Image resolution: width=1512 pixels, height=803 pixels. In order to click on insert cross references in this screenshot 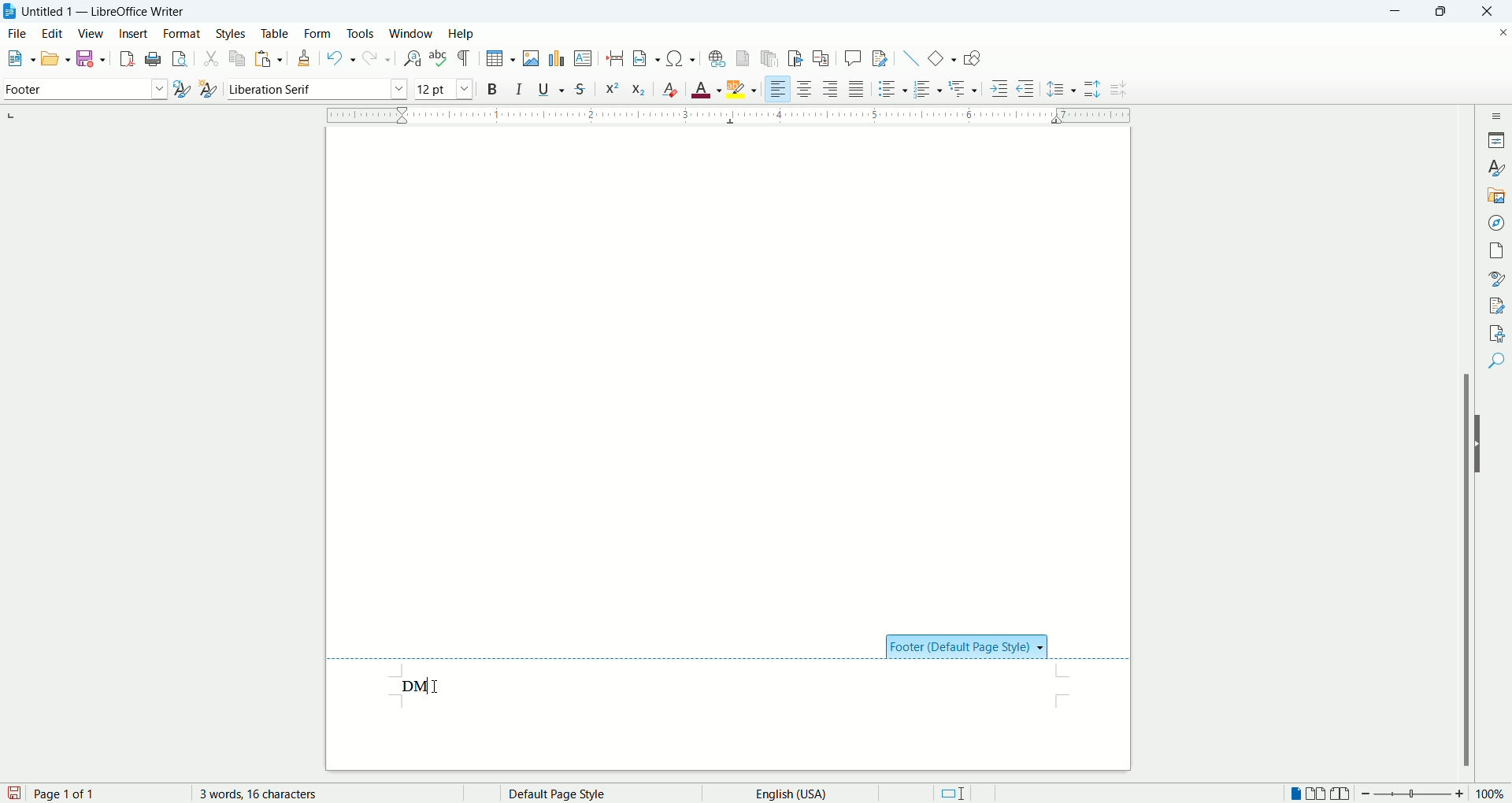, I will do `click(821, 59)`.